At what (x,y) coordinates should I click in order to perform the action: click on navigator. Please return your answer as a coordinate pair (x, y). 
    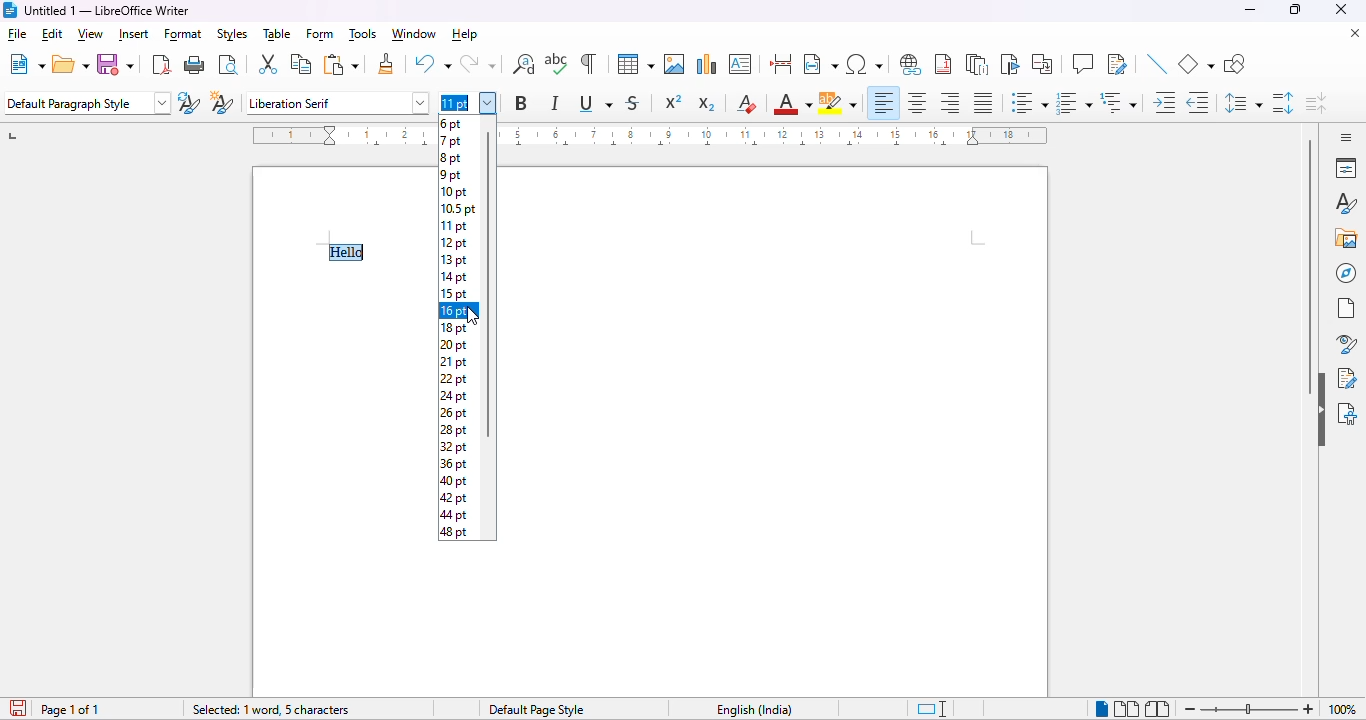
    Looking at the image, I should click on (1346, 273).